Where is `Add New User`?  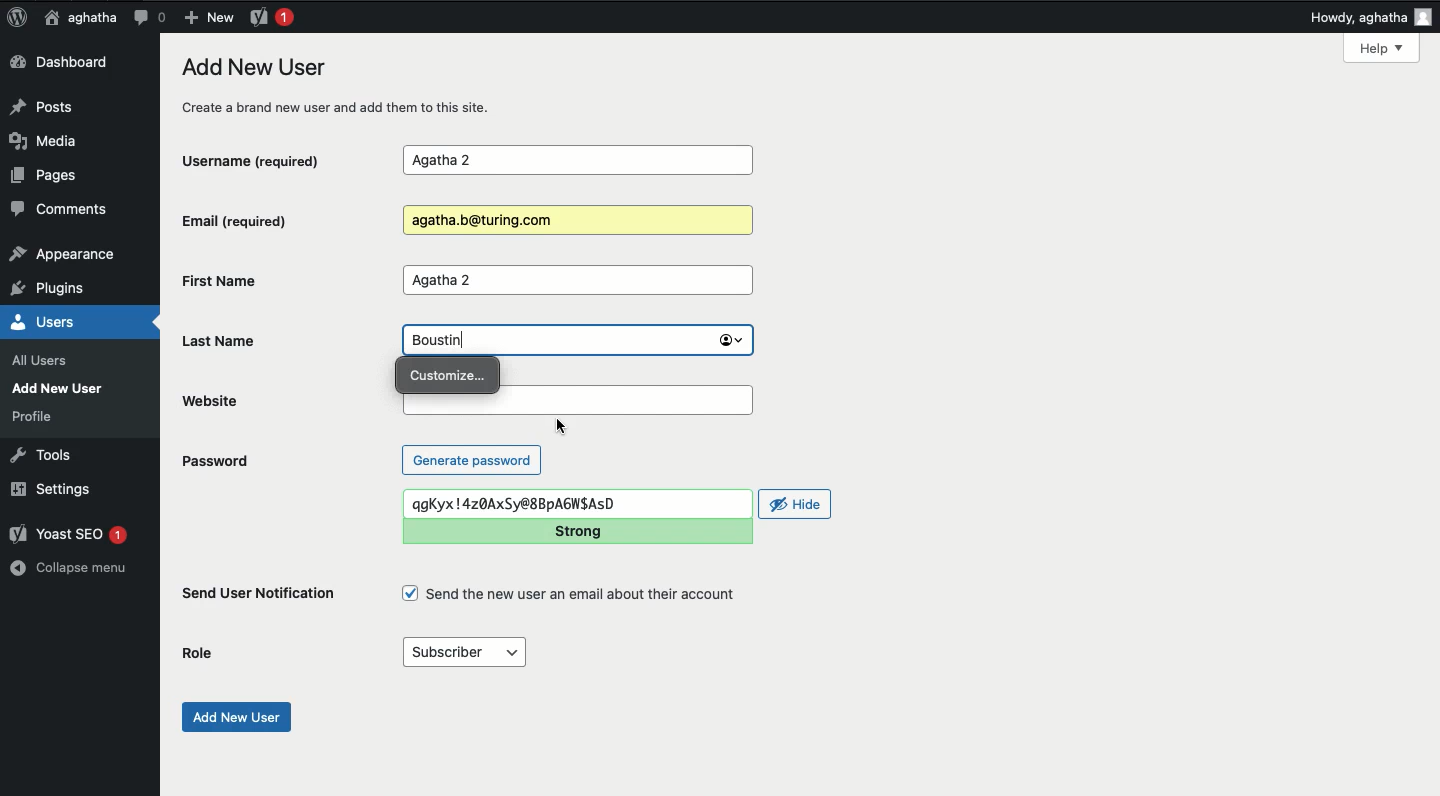
Add New User is located at coordinates (62, 388).